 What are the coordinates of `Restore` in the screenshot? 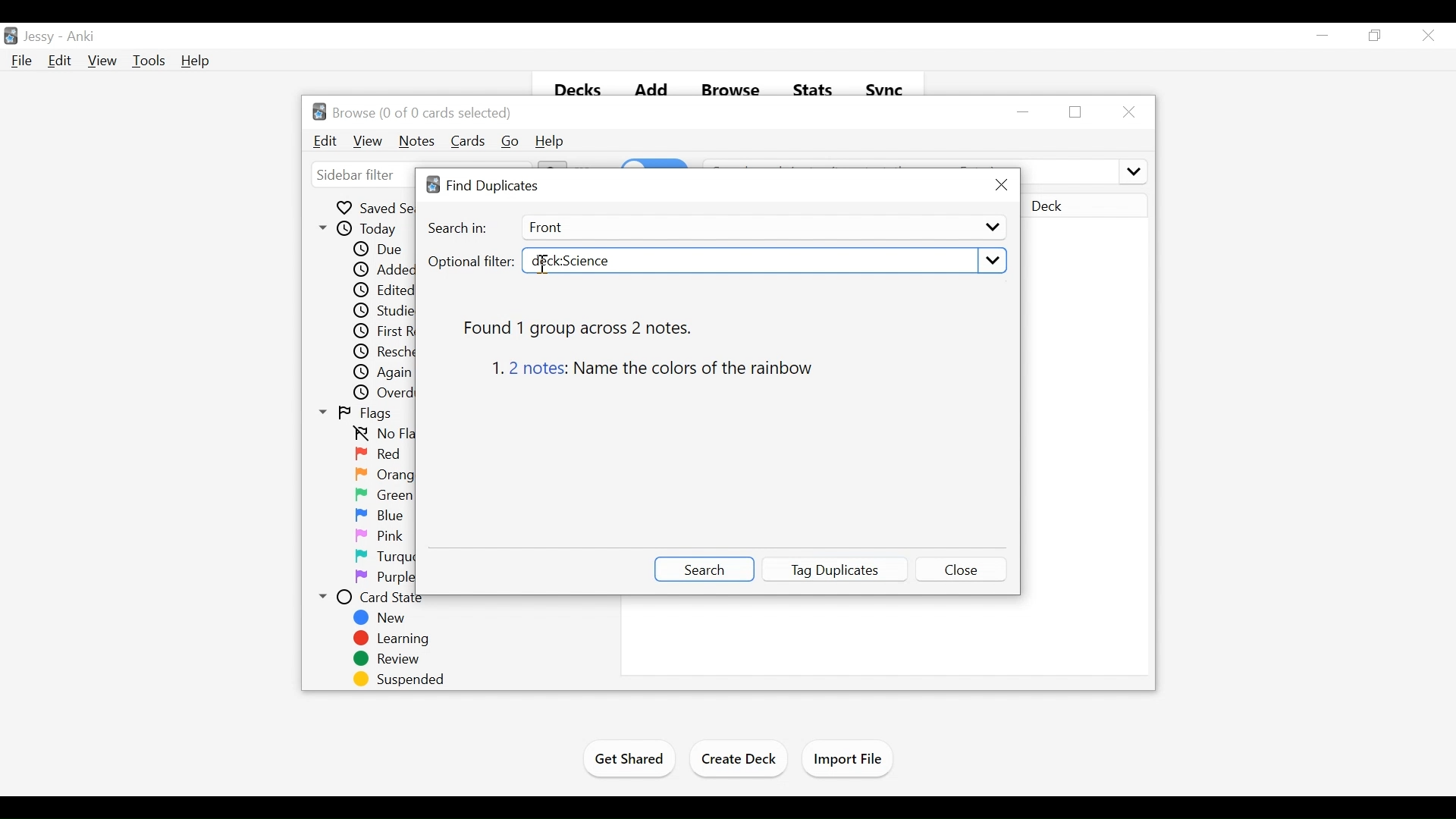 It's located at (1375, 35).